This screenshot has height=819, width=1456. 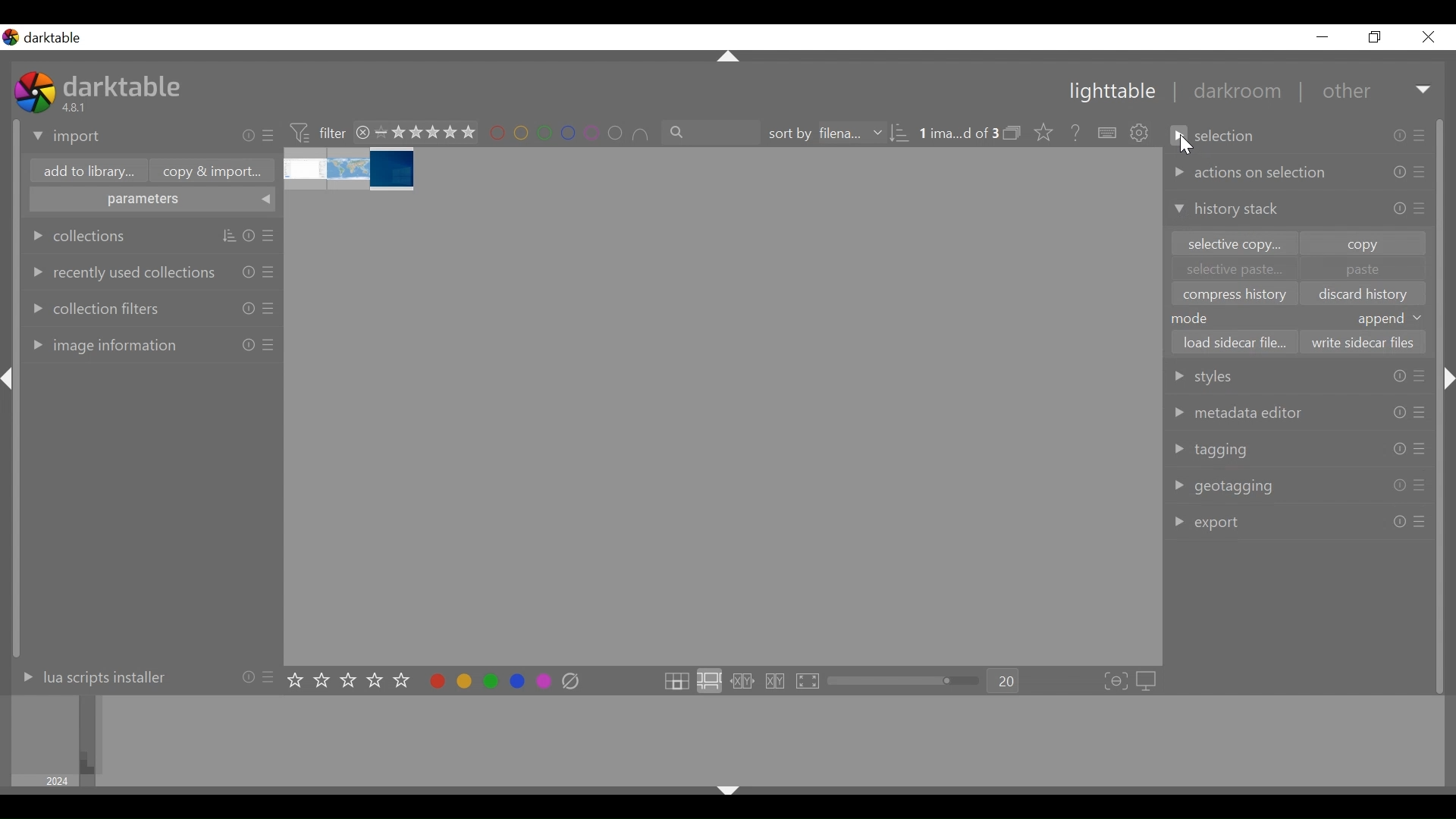 What do you see at coordinates (1071, 133) in the screenshot?
I see `help` at bounding box center [1071, 133].